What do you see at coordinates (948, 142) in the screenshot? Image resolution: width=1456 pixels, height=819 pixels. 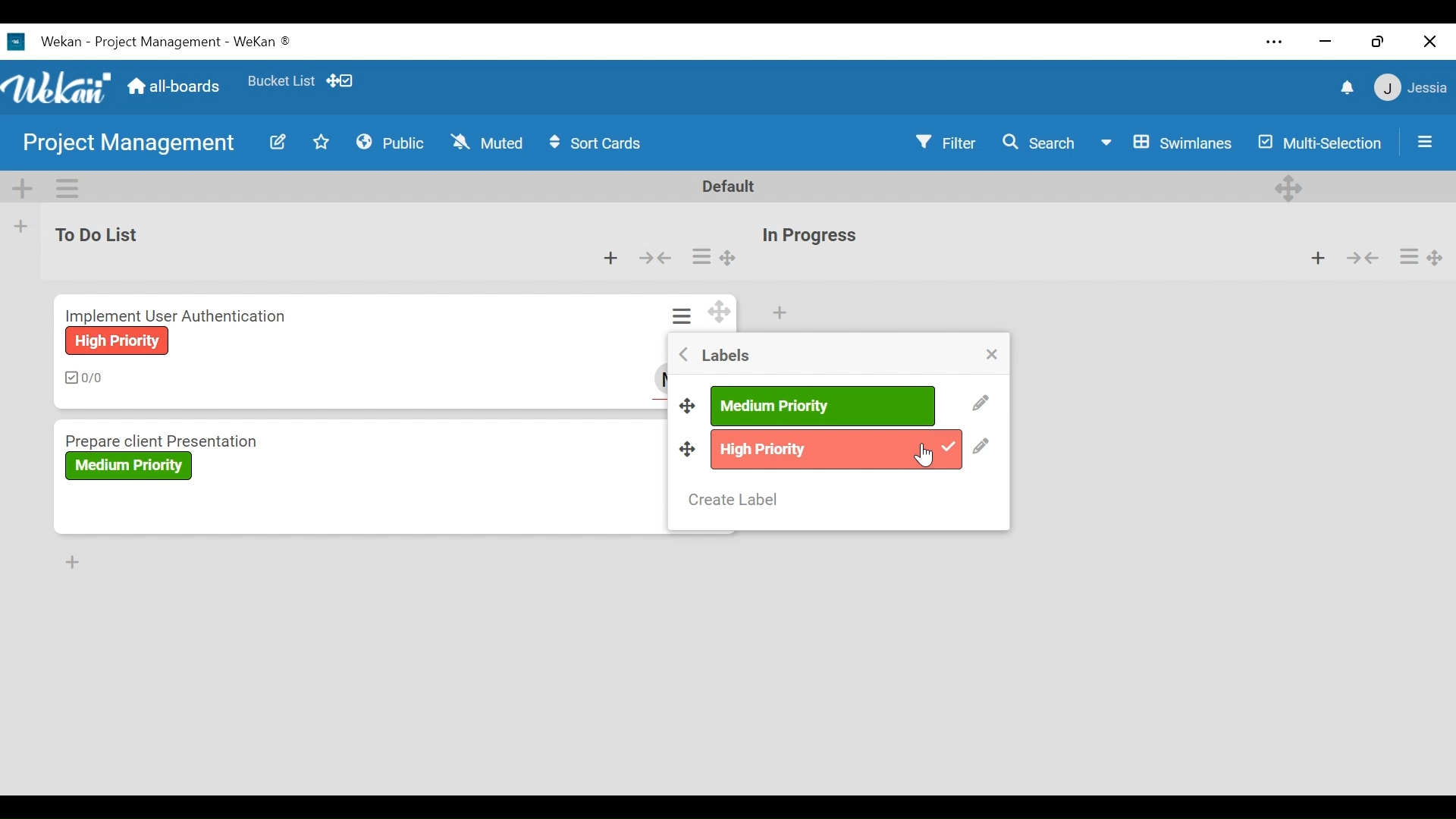 I see `Filter` at bounding box center [948, 142].